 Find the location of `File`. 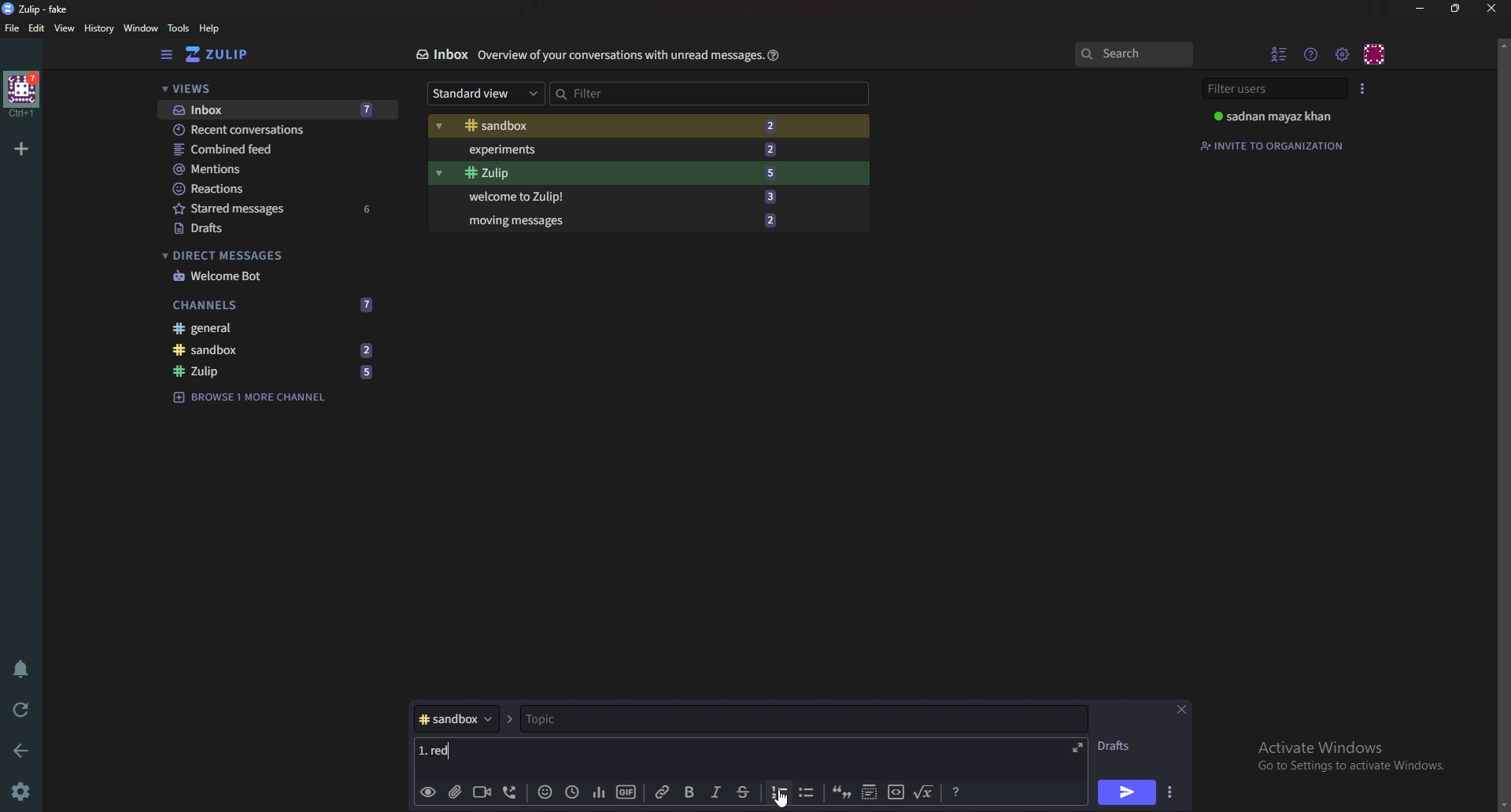

File is located at coordinates (13, 29).